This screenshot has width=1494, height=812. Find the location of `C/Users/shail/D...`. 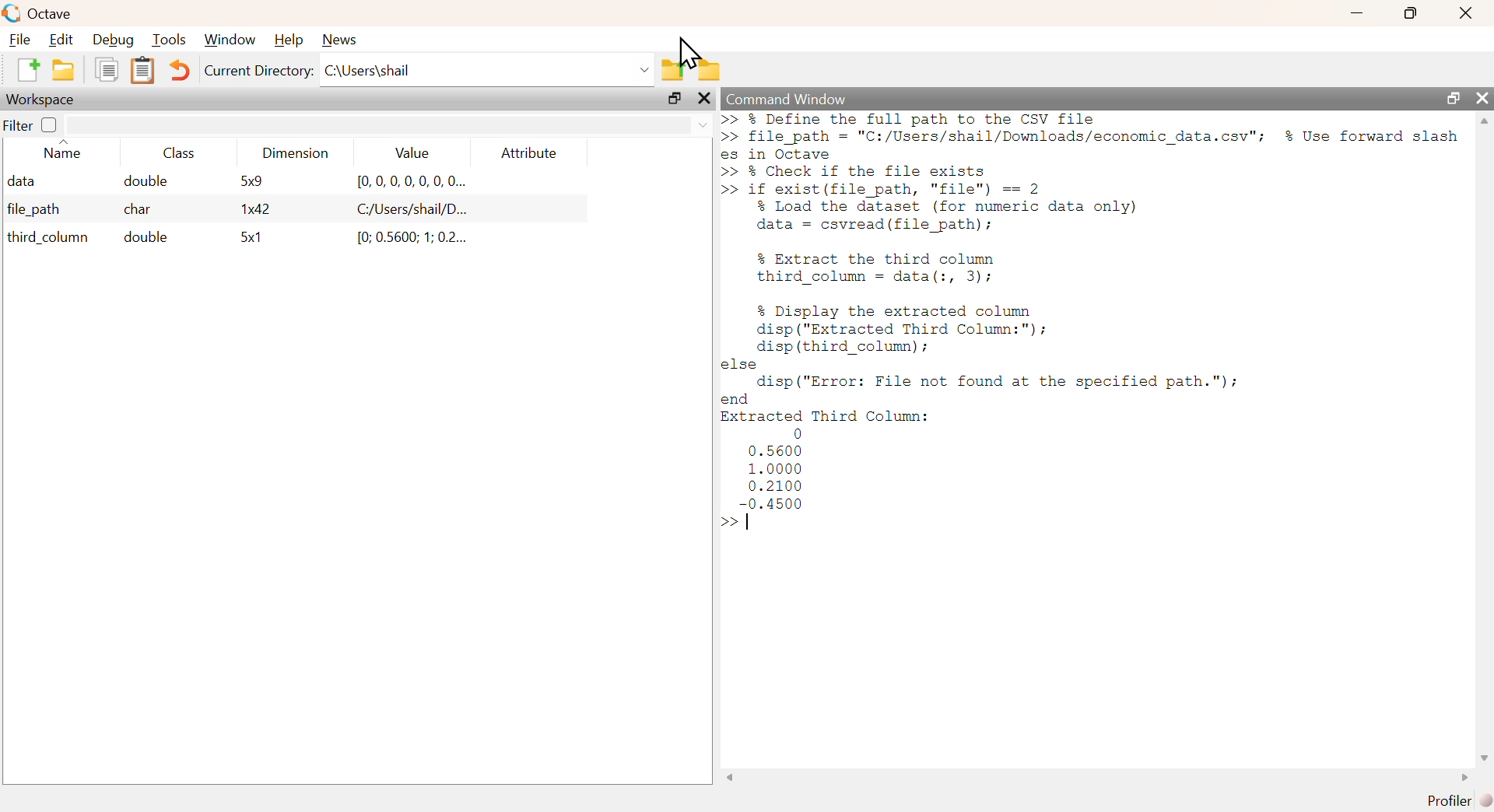

C/Users/shail/D... is located at coordinates (398, 212).